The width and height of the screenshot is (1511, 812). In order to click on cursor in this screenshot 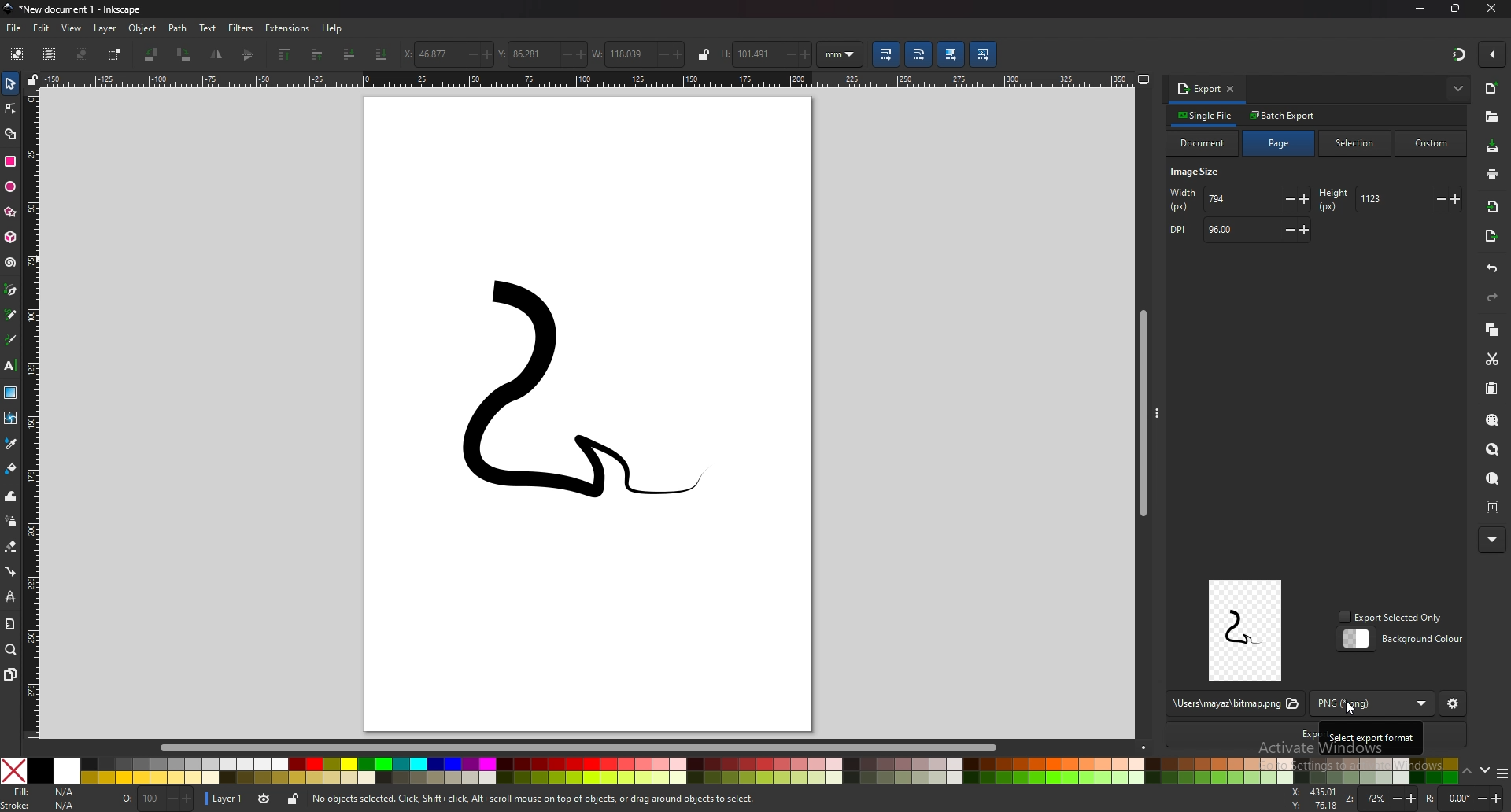, I will do `click(1352, 707)`.